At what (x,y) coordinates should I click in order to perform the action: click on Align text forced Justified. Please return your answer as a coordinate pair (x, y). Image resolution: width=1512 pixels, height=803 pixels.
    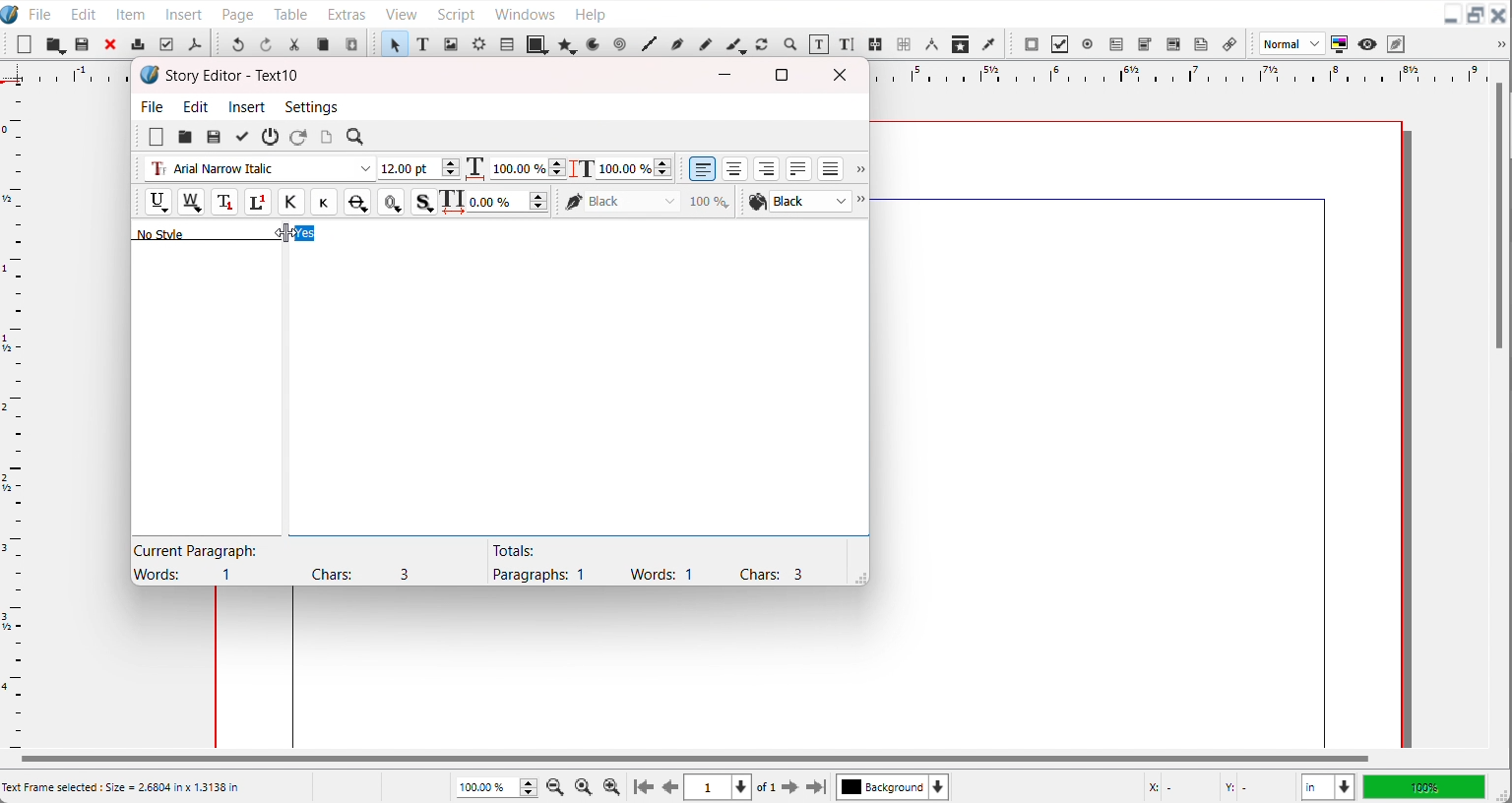
    Looking at the image, I should click on (831, 168).